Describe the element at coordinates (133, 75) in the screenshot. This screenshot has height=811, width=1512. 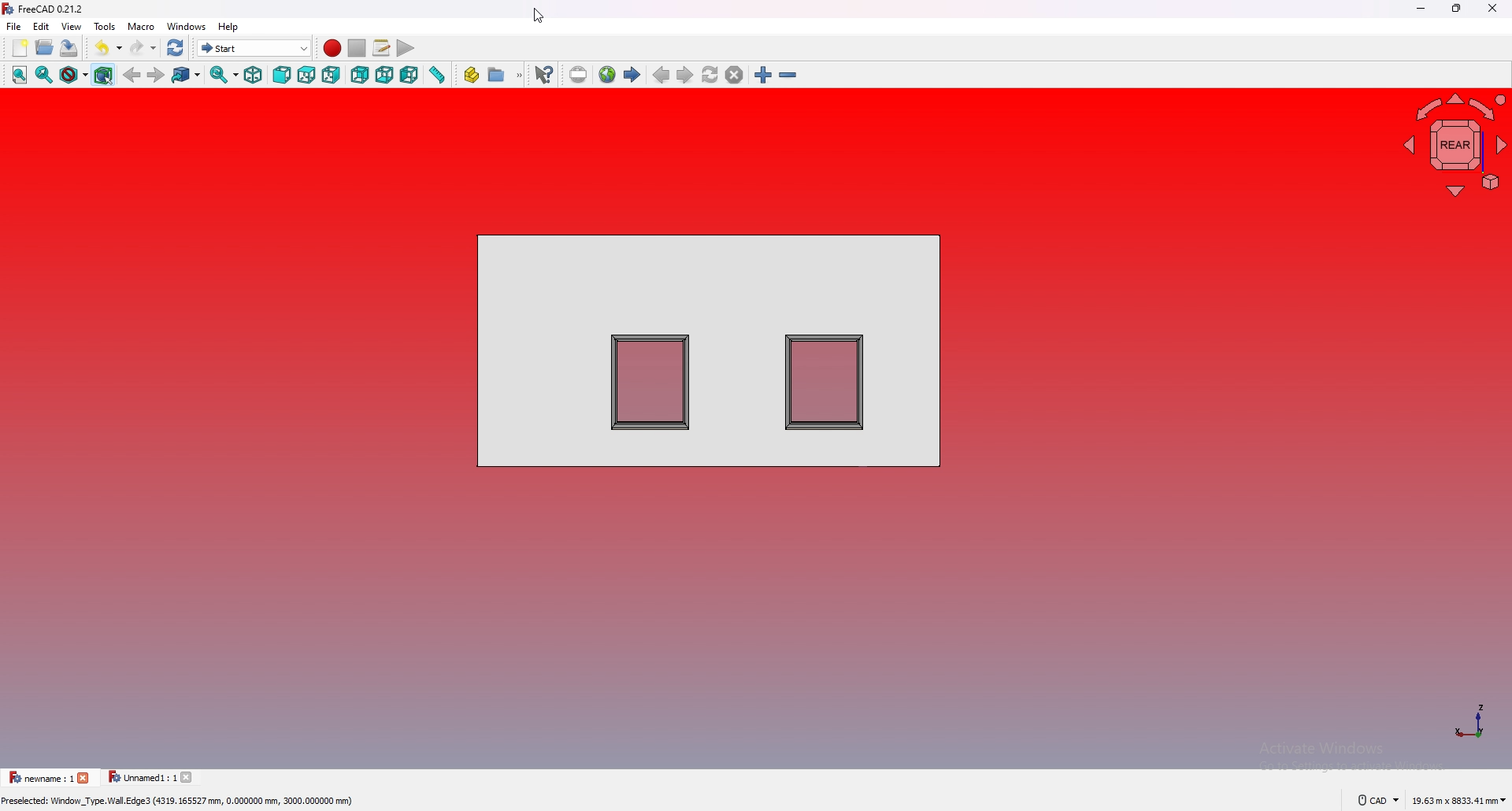
I see `back` at that location.